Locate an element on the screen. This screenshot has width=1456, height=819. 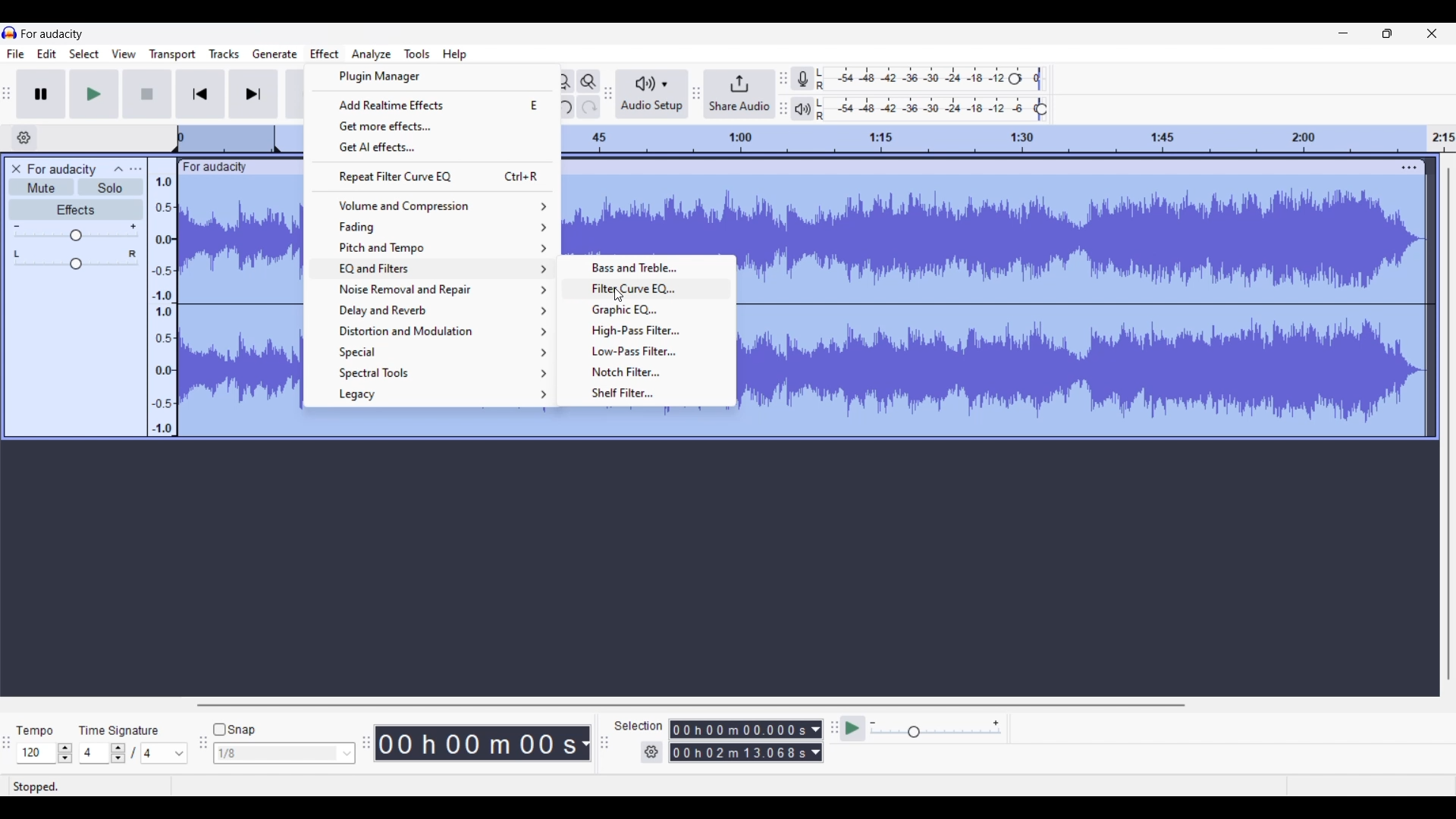
Playback meter is located at coordinates (803, 109).